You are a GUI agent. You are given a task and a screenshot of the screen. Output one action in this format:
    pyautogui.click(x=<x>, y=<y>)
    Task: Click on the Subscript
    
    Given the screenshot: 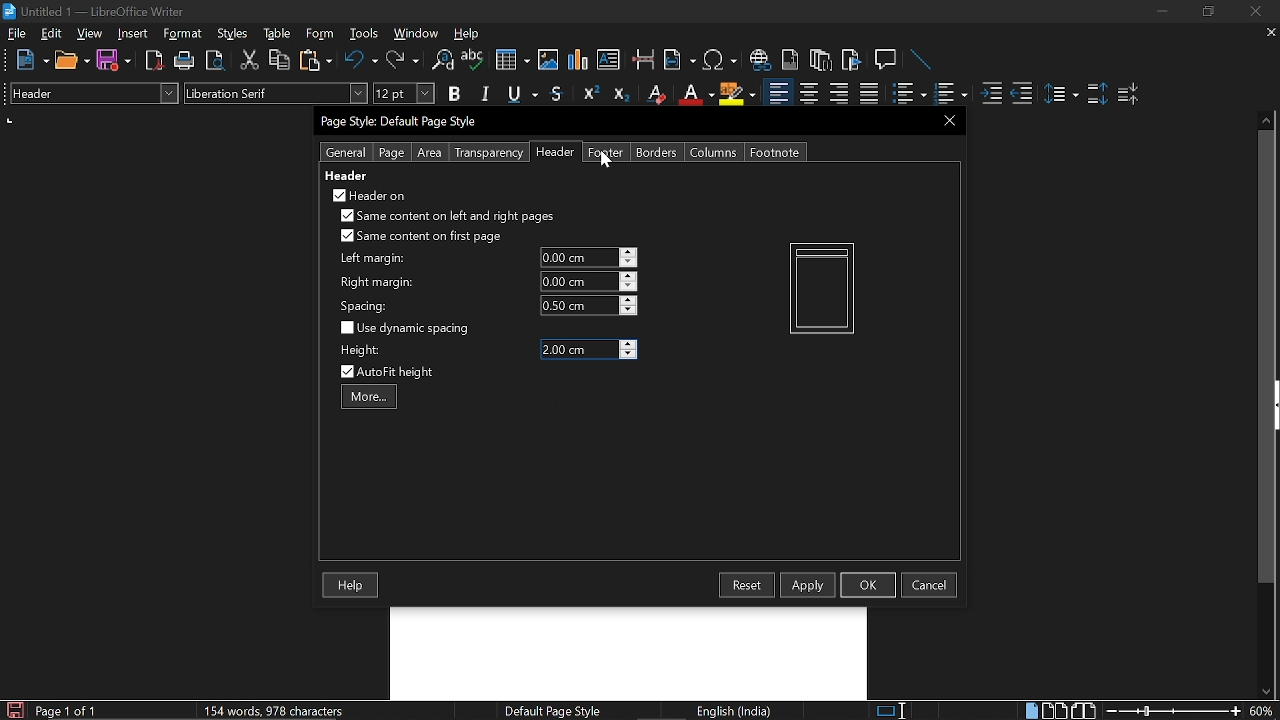 What is the action you would take?
    pyautogui.click(x=620, y=94)
    